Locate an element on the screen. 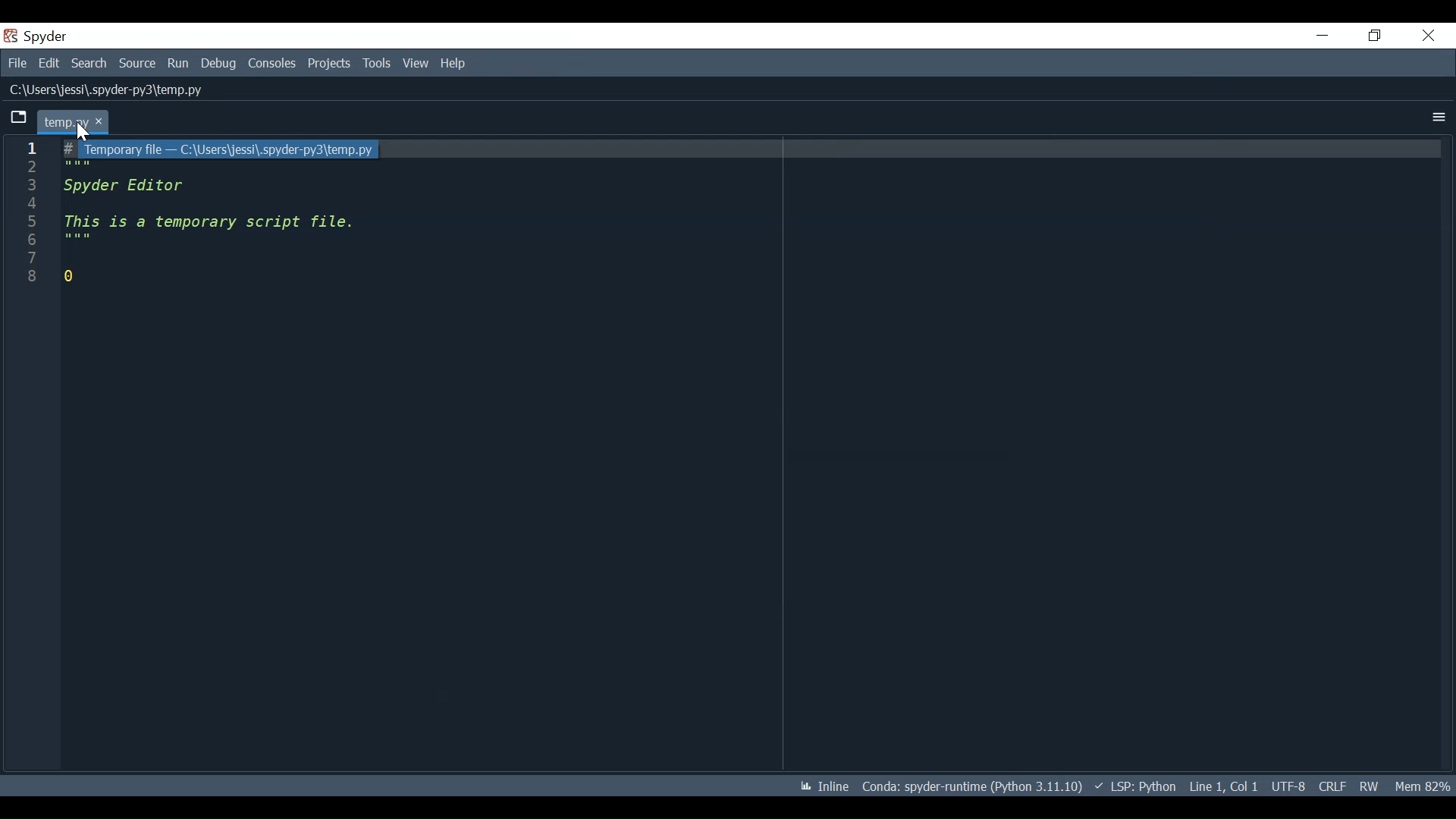  Current tab is located at coordinates (17, 117).